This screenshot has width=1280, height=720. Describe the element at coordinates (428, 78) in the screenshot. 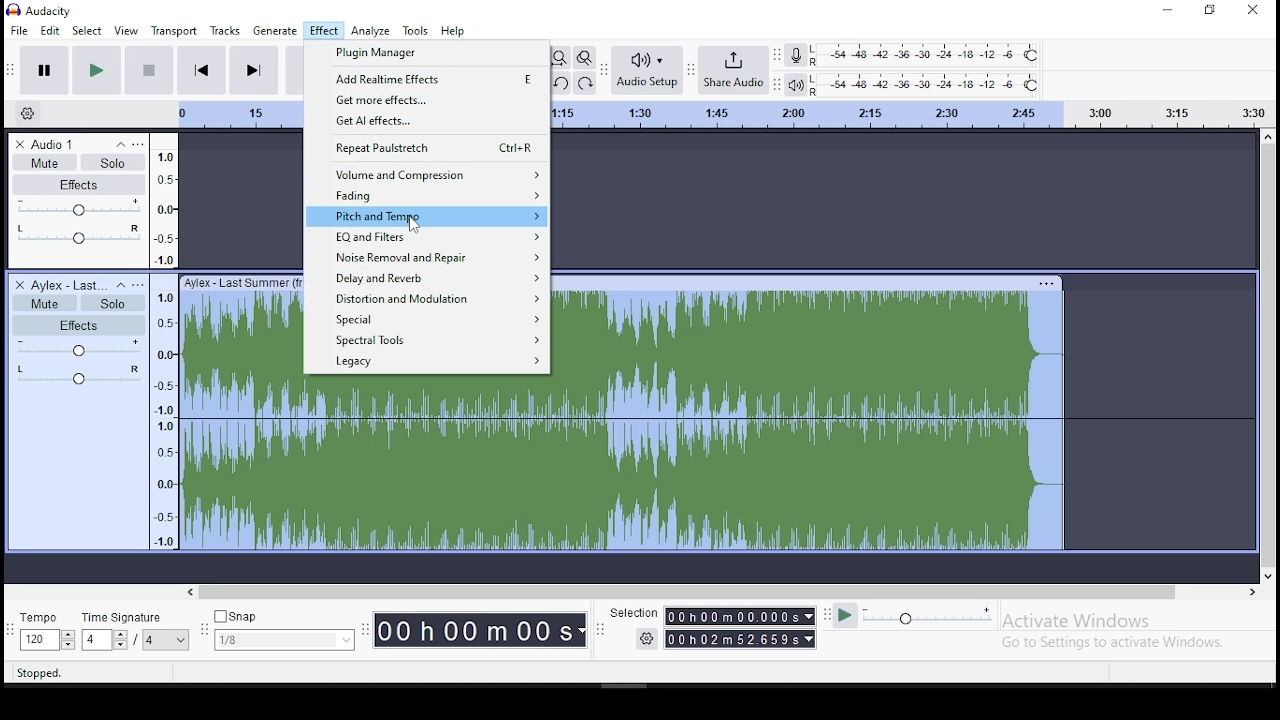

I see `add real time effects` at that location.